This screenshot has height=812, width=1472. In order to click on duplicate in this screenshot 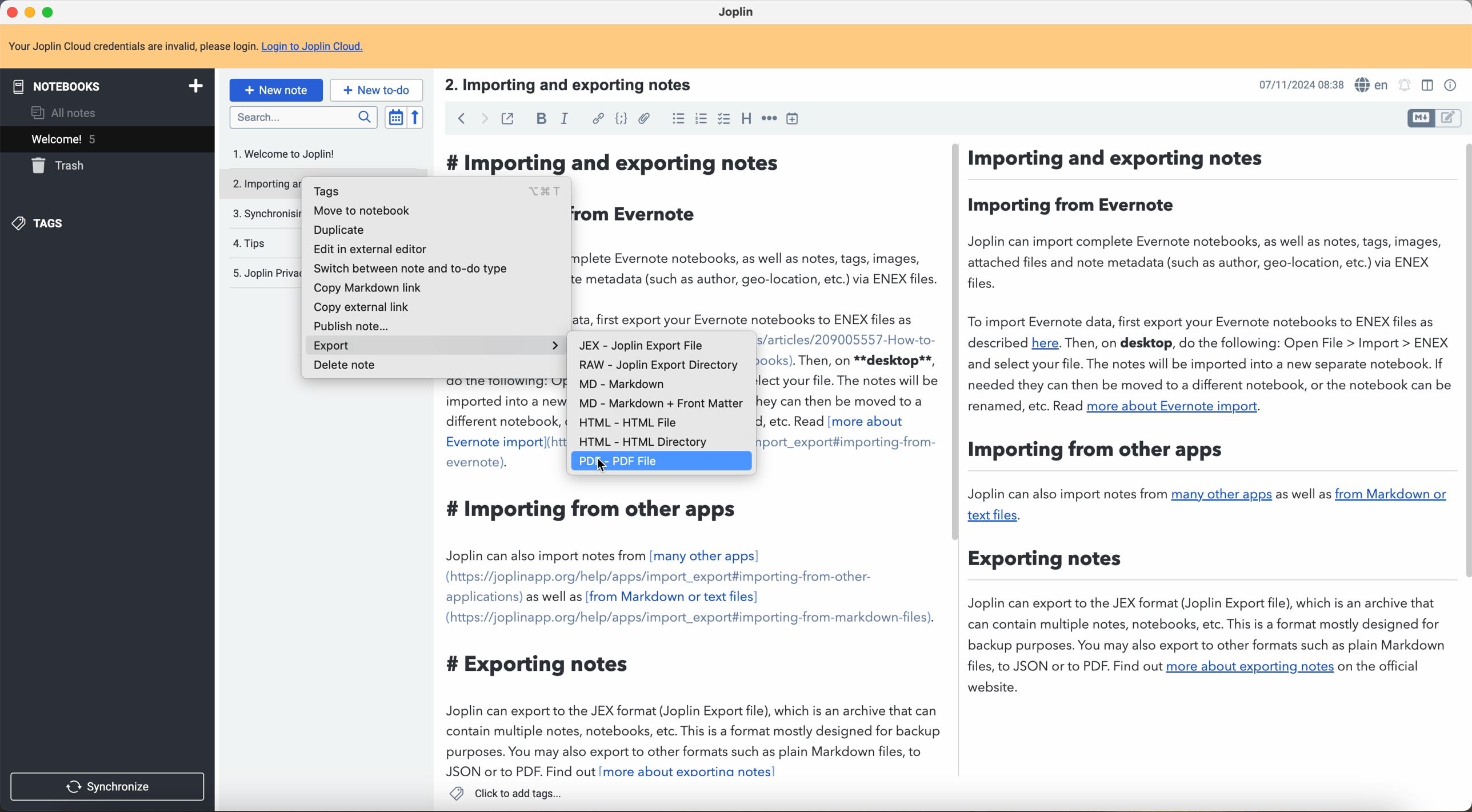, I will do `click(339, 229)`.